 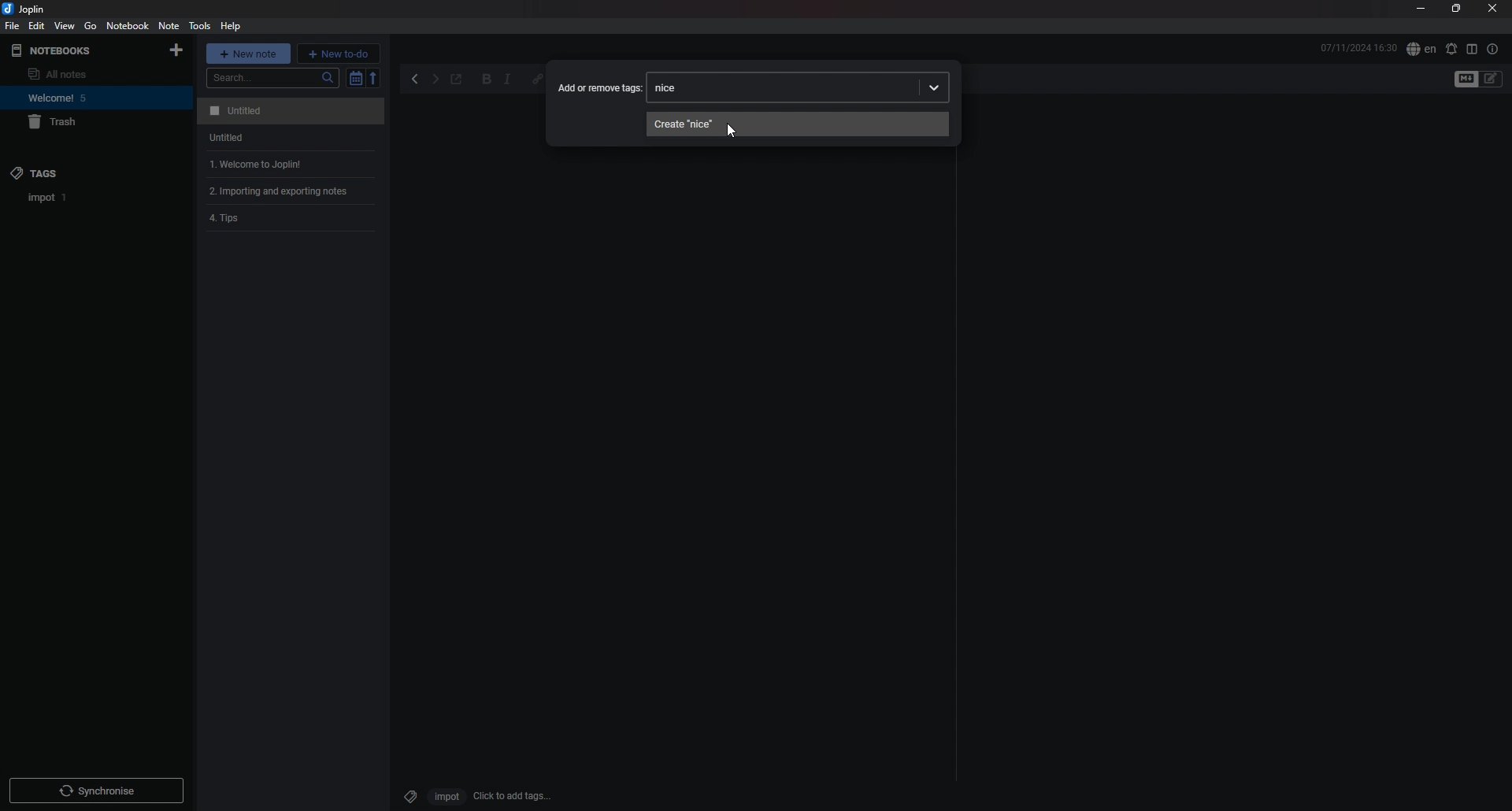 I want to click on file, so click(x=13, y=26).